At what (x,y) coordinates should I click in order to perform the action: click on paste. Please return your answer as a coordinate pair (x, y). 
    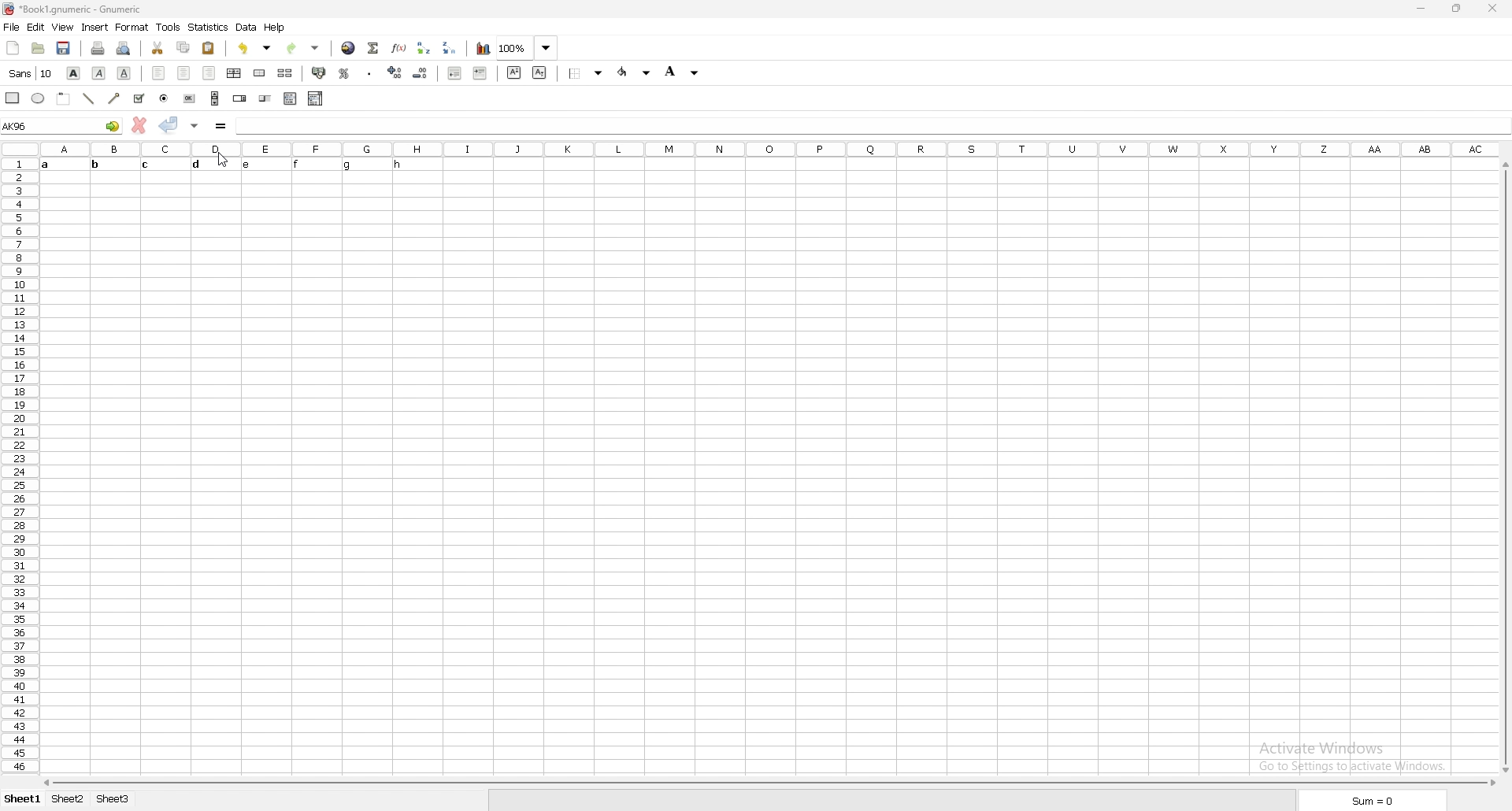
    Looking at the image, I should click on (209, 48).